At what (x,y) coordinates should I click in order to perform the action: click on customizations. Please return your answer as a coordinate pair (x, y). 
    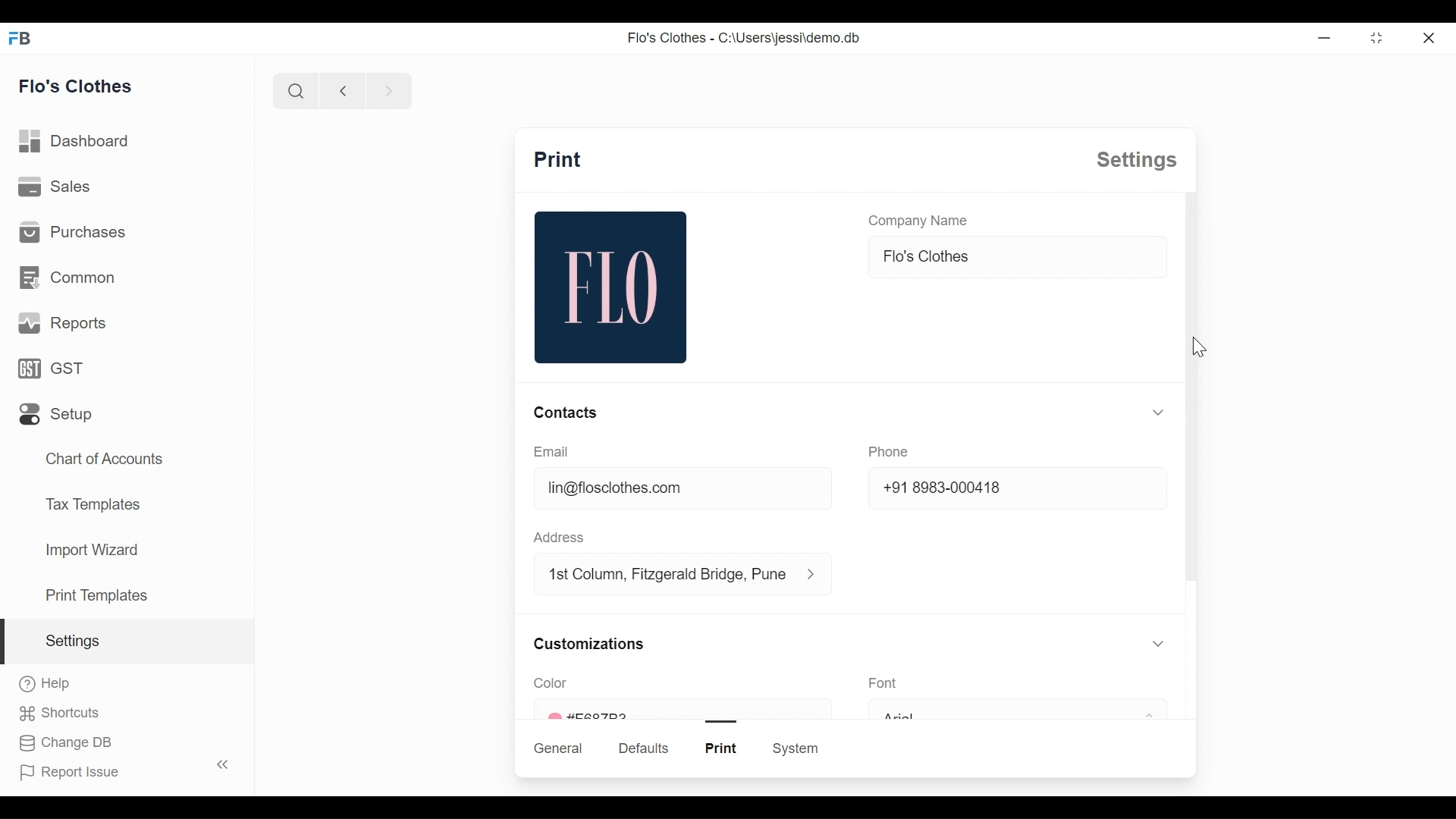
    Looking at the image, I should click on (587, 645).